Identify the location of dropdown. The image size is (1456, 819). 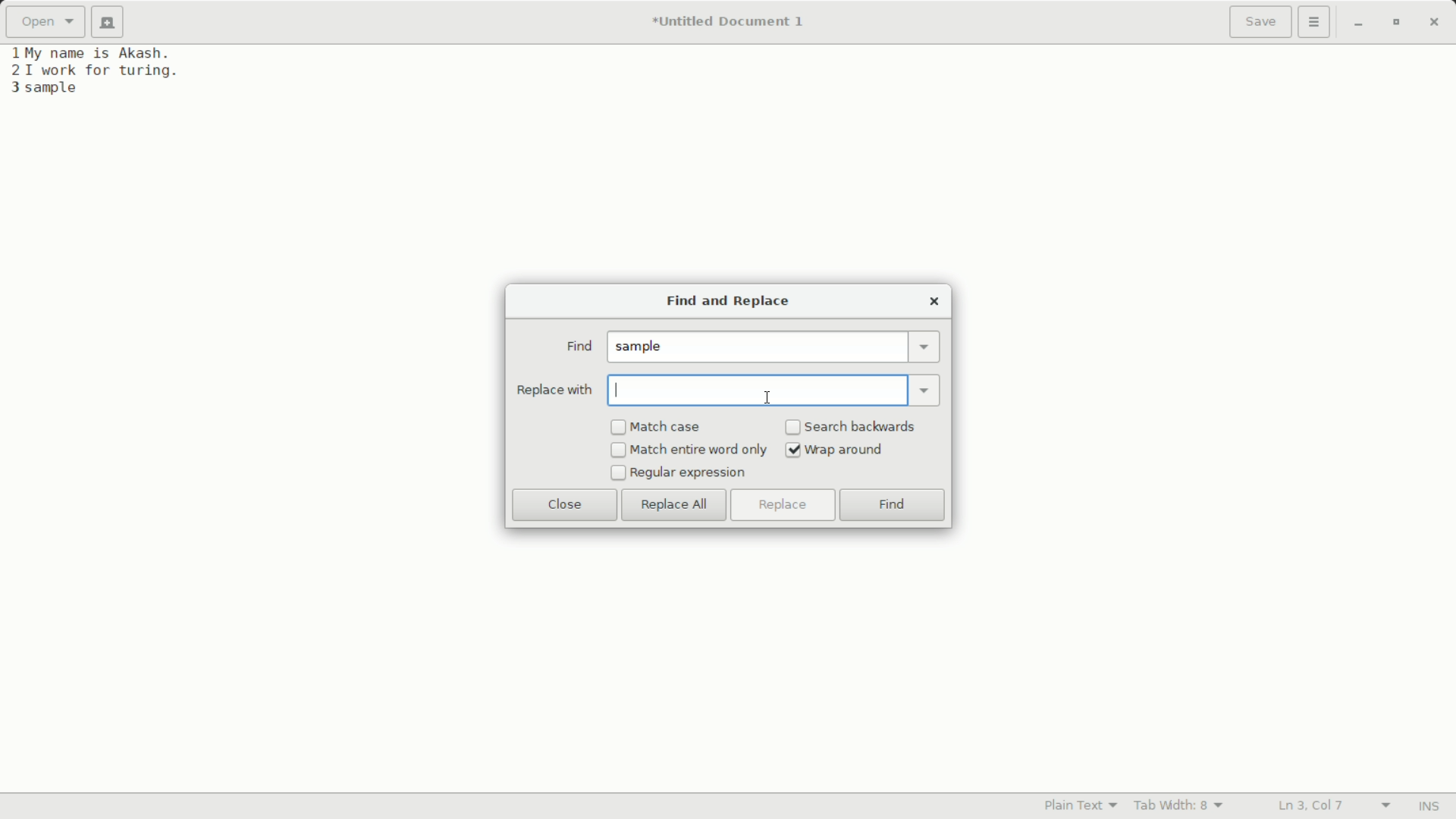
(925, 347).